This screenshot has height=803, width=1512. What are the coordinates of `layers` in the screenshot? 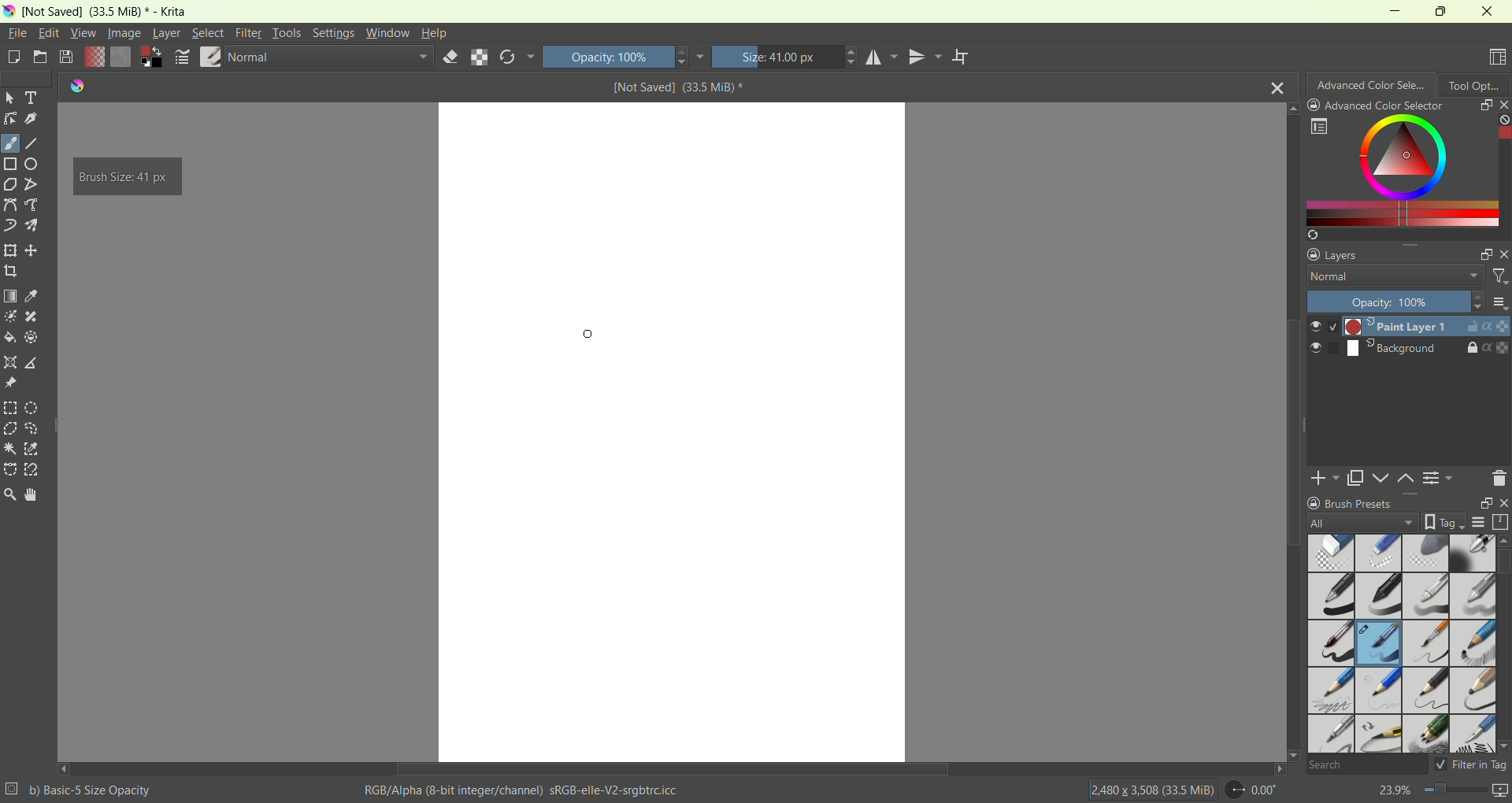 It's located at (1336, 253).